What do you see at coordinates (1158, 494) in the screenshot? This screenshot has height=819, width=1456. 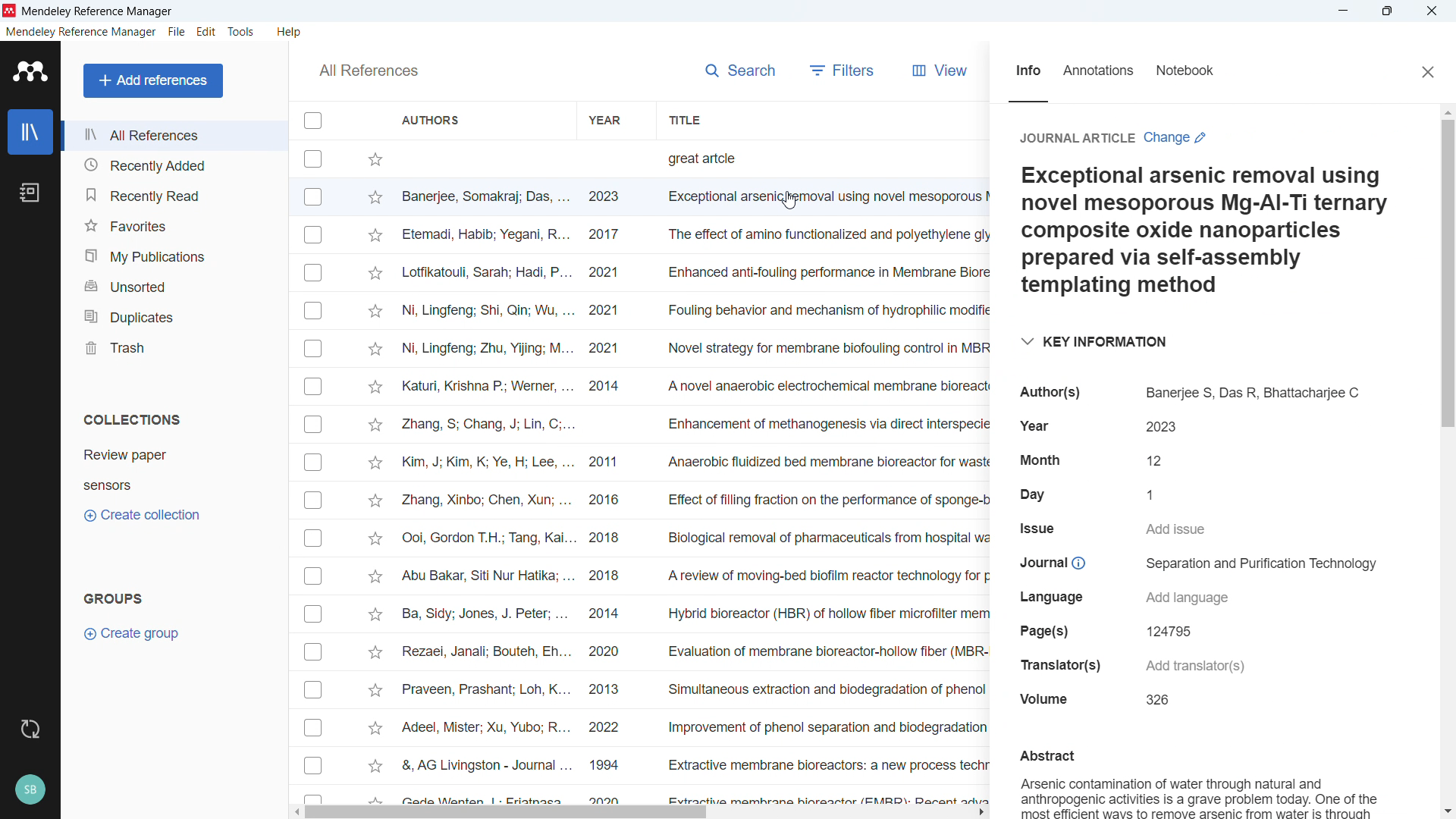 I see `day ` at bounding box center [1158, 494].